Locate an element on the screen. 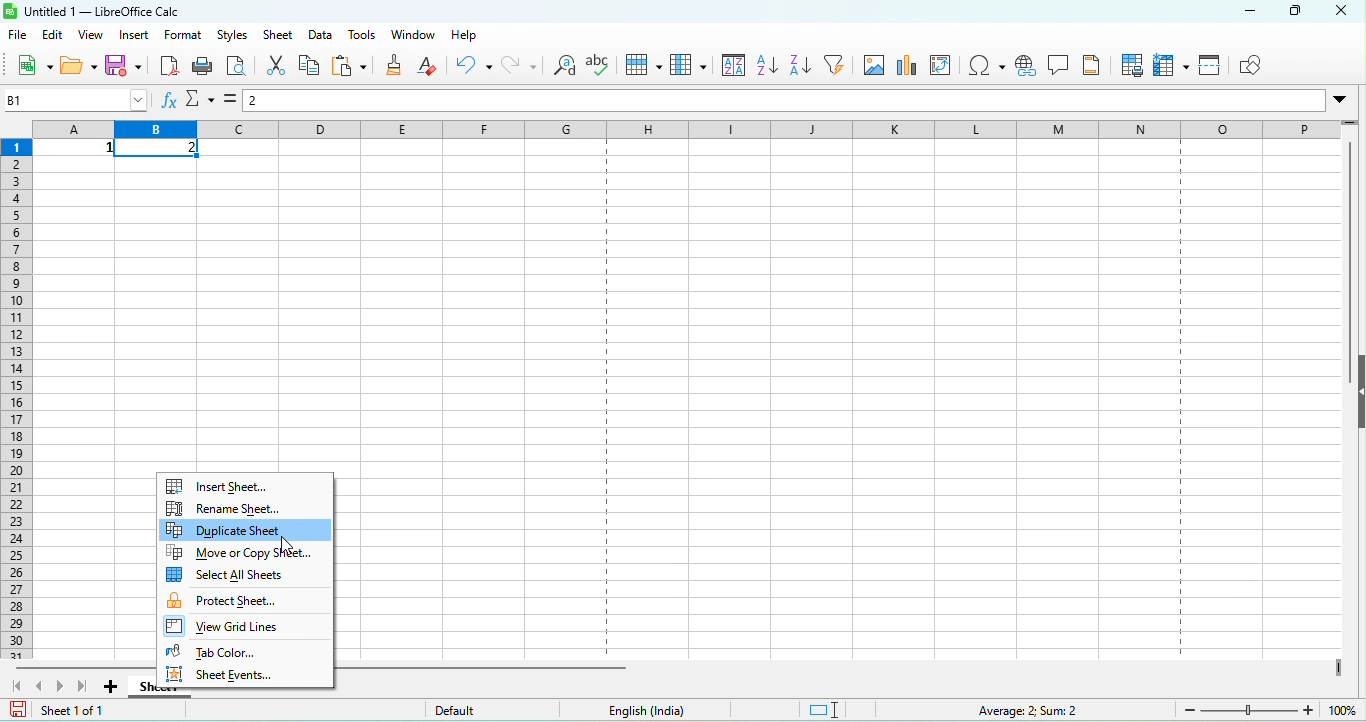  1 is located at coordinates (76, 148).